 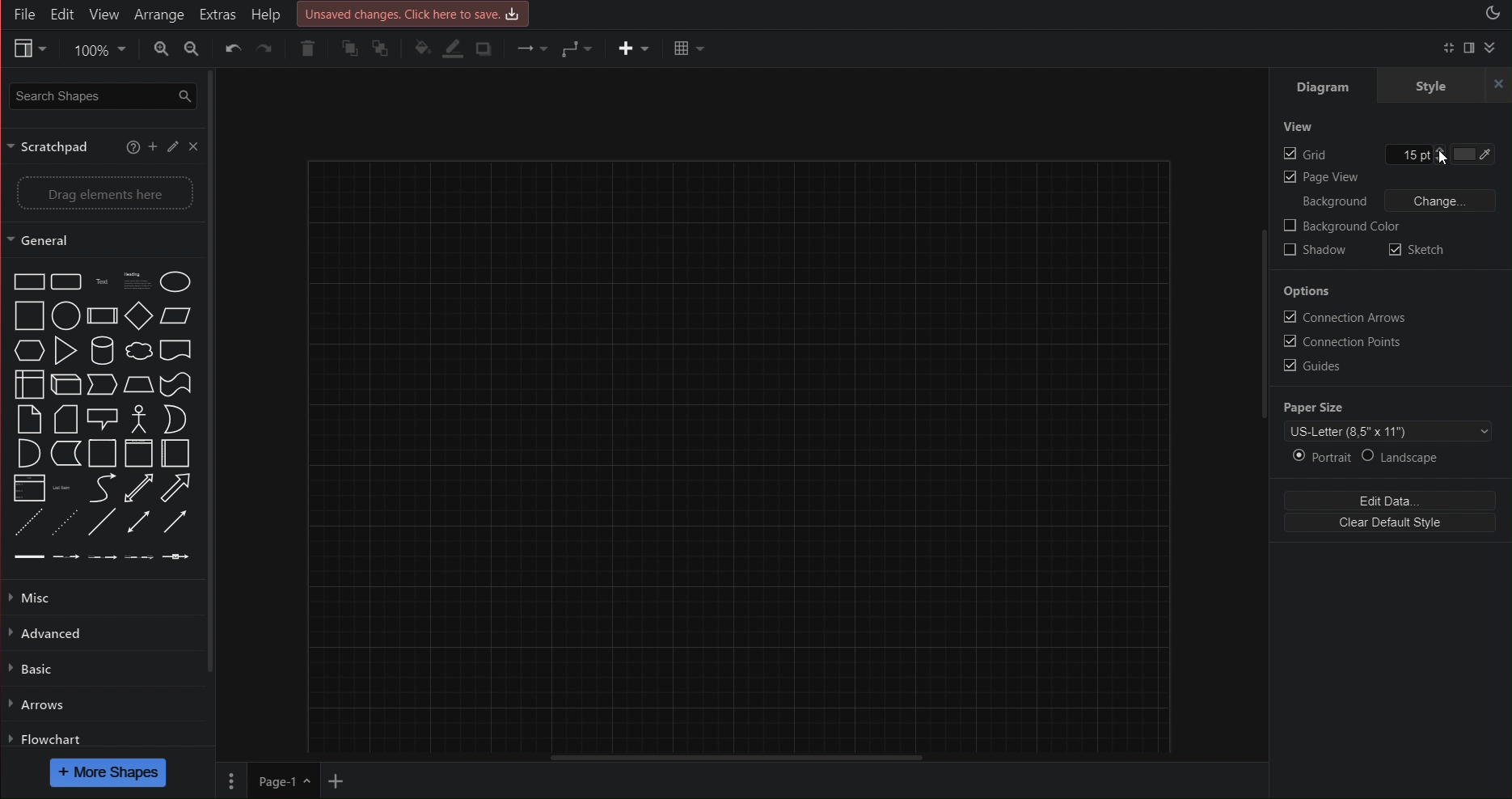 What do you see at coordinates (179, 277) in the screenshot?
I see `circle` at bounding box center [179, 277].